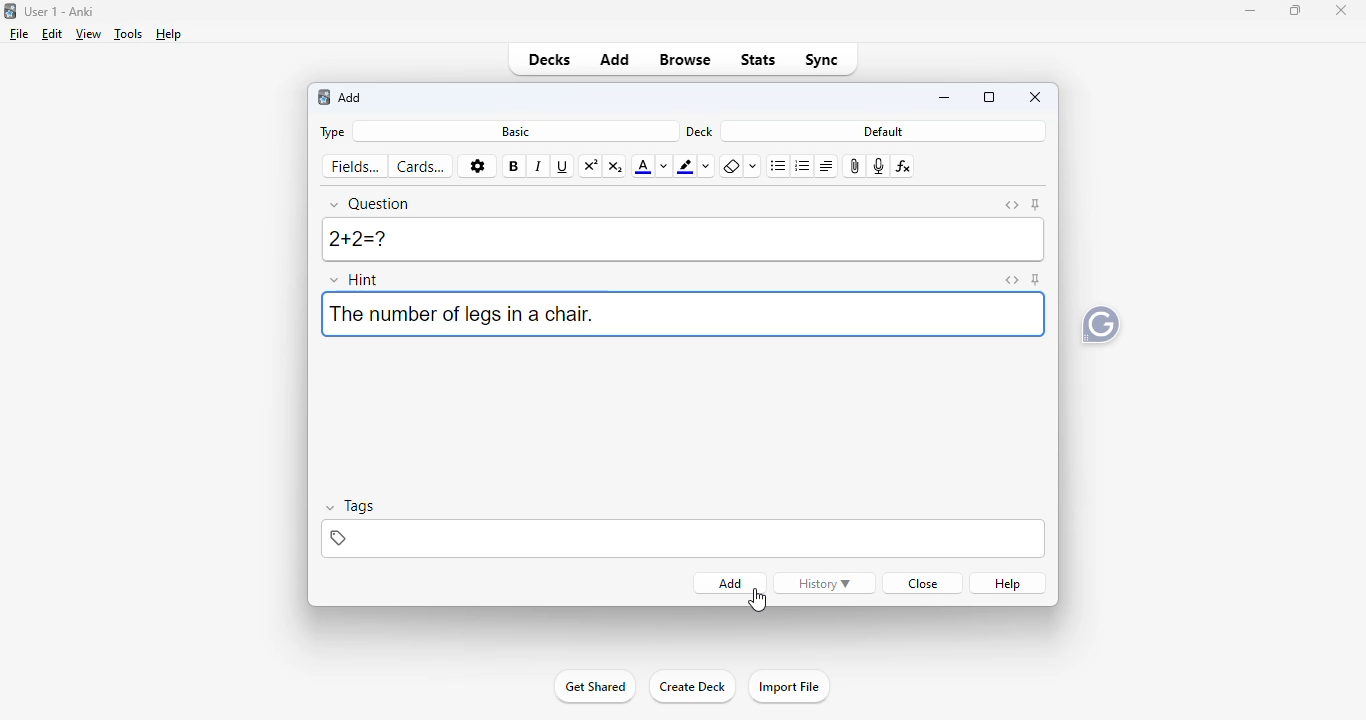 The height and width of the screenshot is (720, 1366). What do you see at coordinates (353, 279) in the screenshot?
I see `hint` at bounding box center [353, 279].